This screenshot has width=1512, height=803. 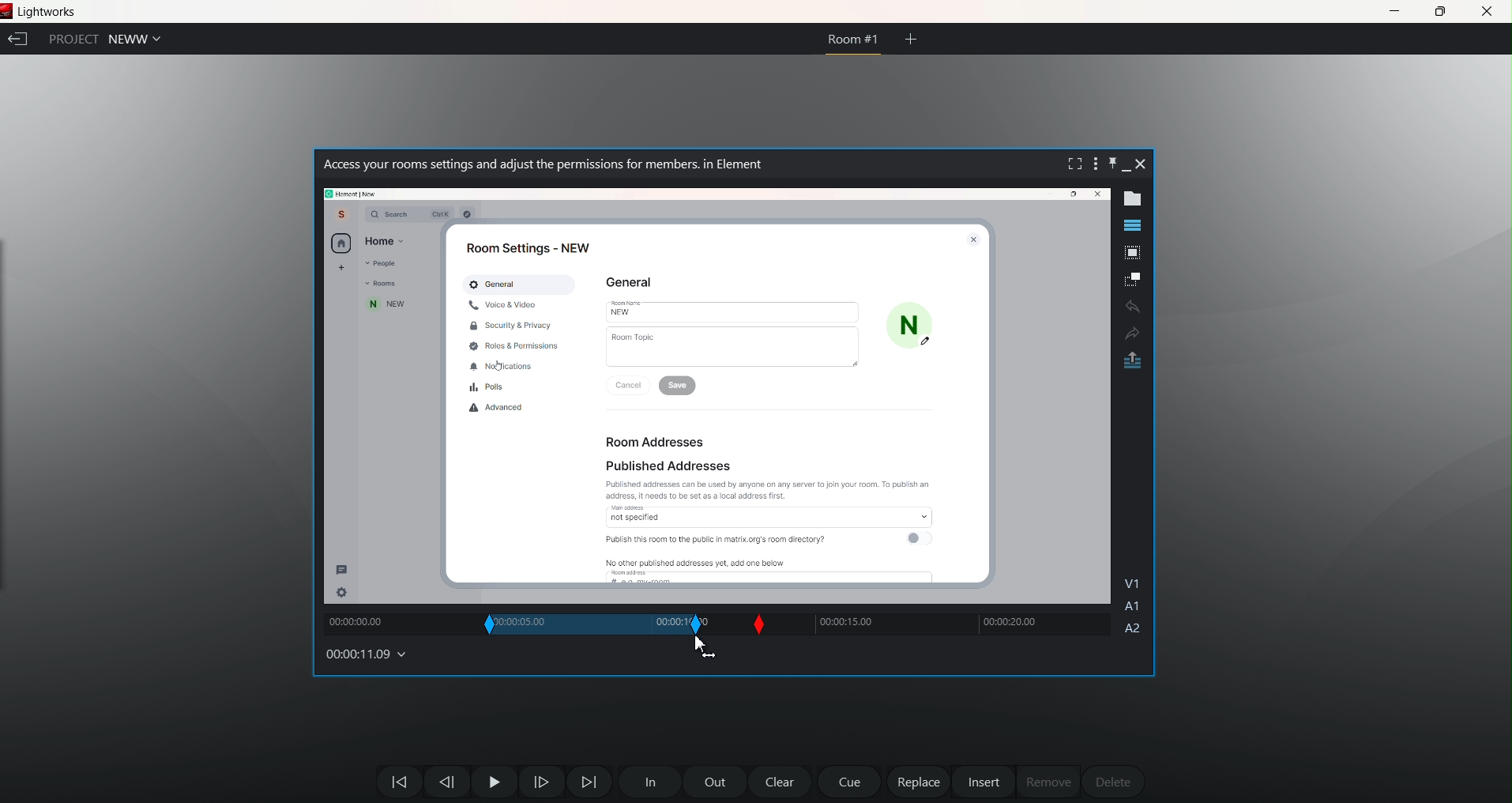 What do you see at coordinates (1133, 607) in the screenshot?
I see `A1` at bounding box center [1133, 607].